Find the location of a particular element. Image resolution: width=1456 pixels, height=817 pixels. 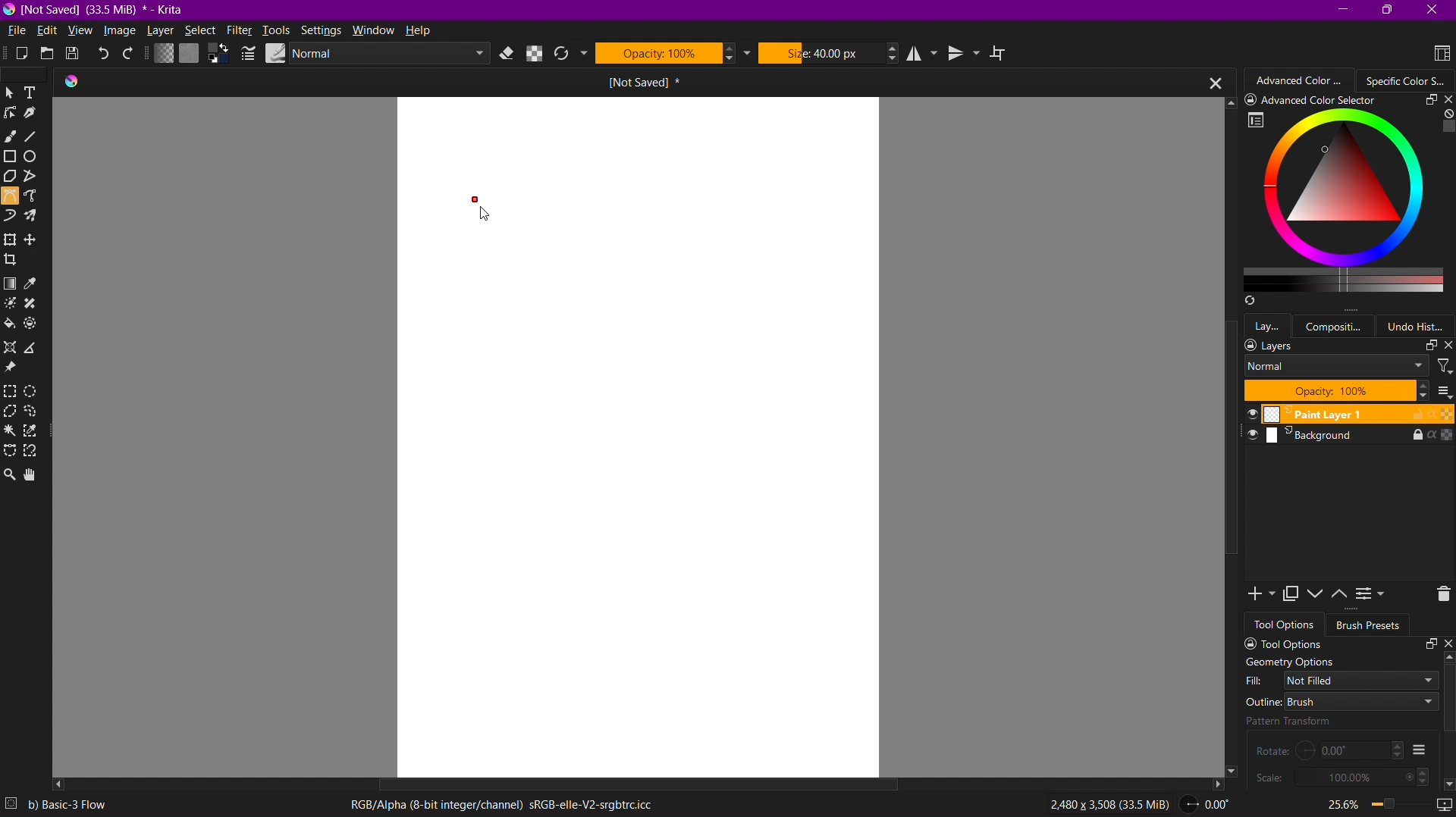

Fill Patterns is located at coordinates (189, 55).